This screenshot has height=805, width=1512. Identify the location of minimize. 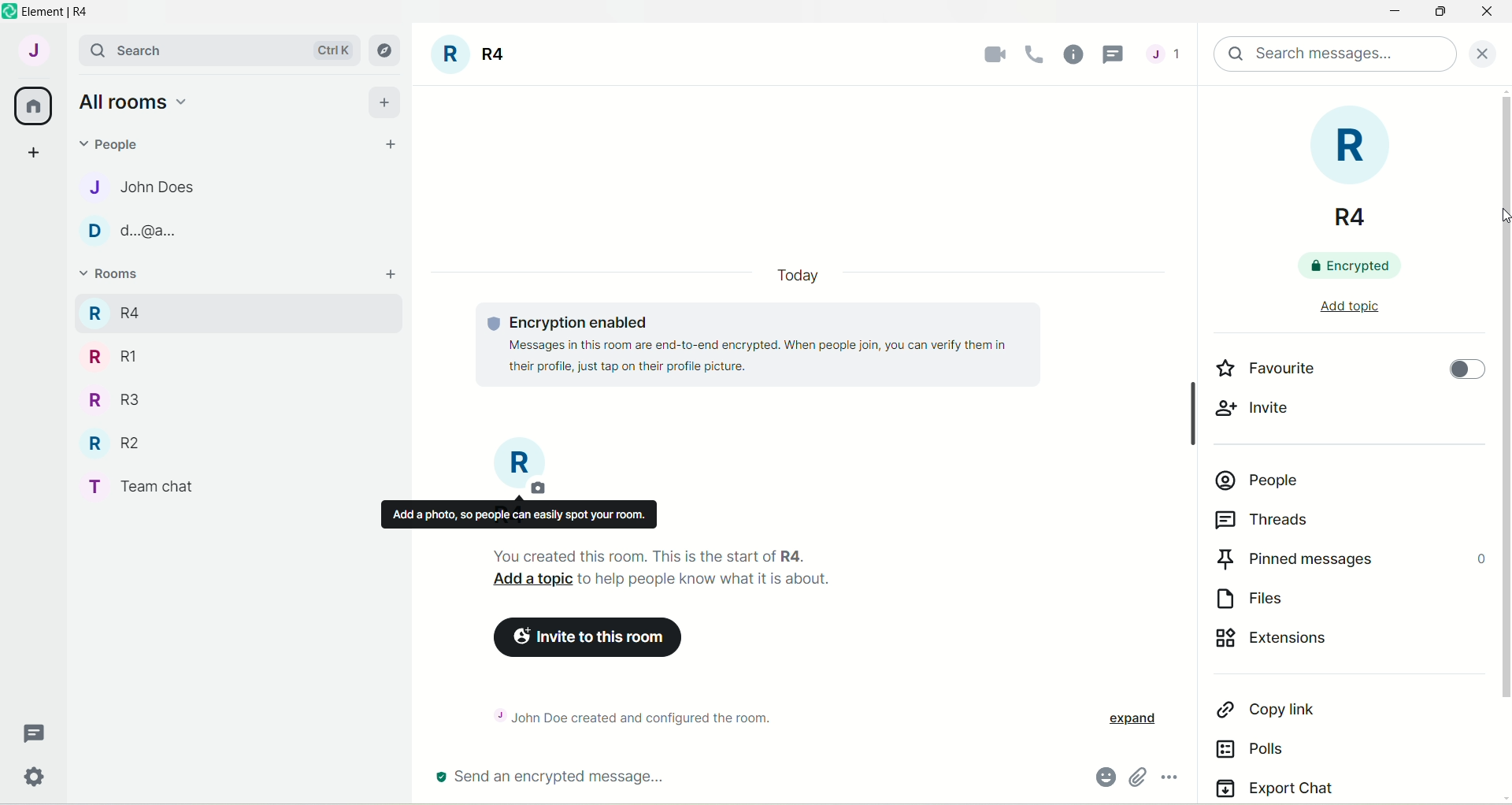
(1392, 13).